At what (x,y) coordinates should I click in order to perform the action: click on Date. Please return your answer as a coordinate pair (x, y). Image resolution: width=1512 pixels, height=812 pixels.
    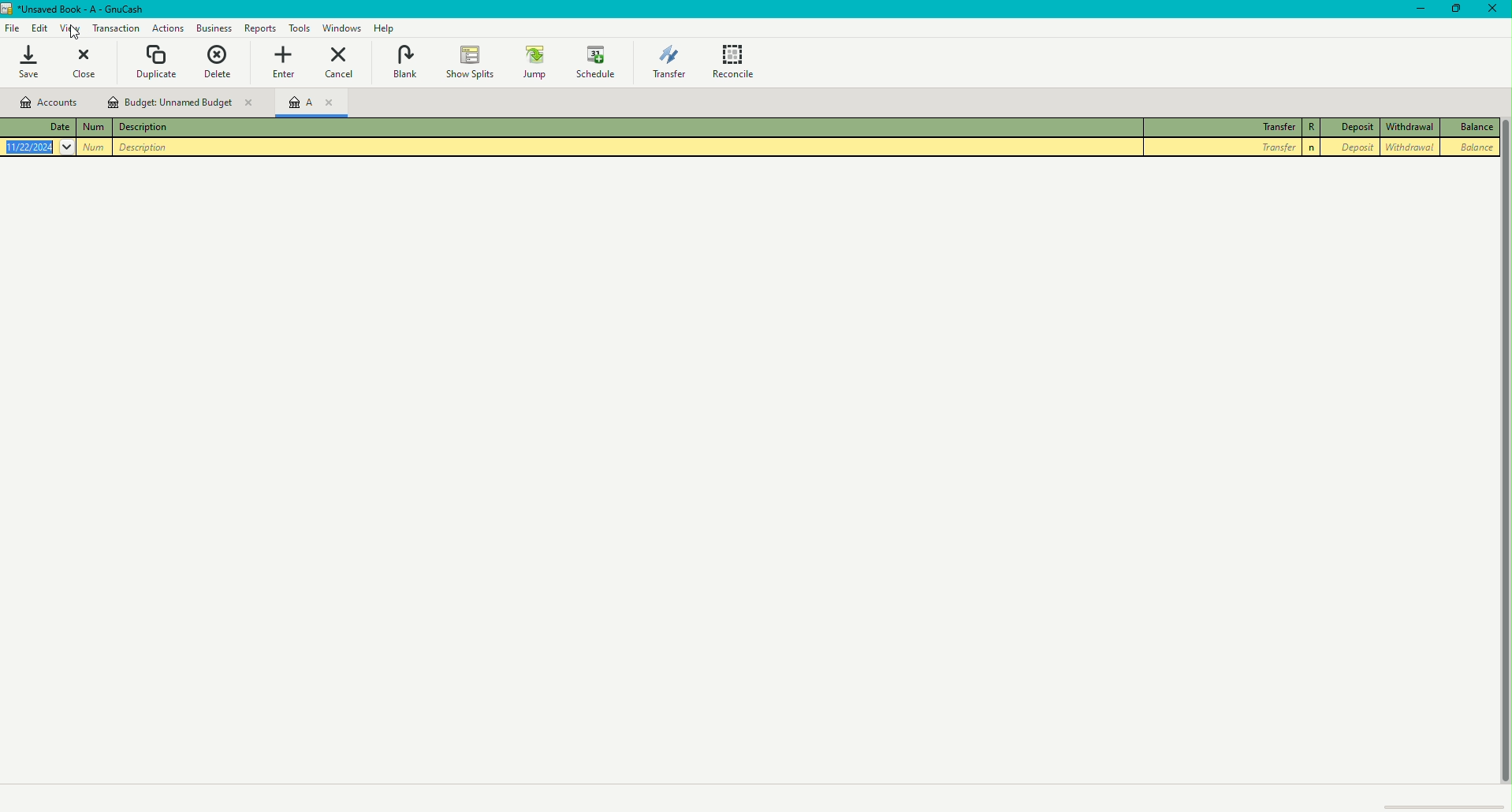
    Looking at the image, I should click on (35, 128).